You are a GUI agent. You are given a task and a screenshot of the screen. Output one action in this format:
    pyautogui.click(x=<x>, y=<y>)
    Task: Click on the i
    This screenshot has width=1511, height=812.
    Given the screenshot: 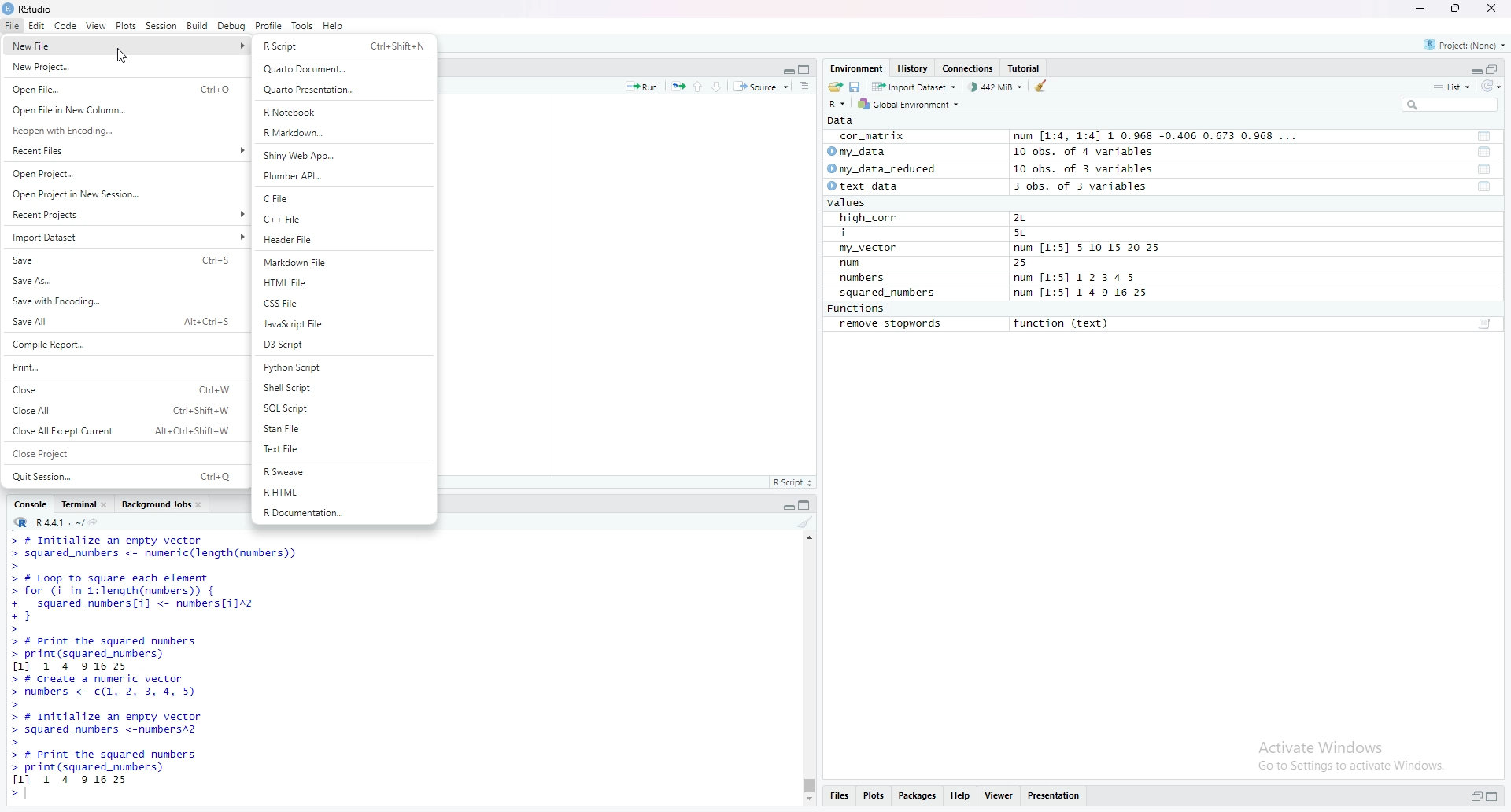 What is the action you would take?
    pyautogui.click(x=863, y=231)
    